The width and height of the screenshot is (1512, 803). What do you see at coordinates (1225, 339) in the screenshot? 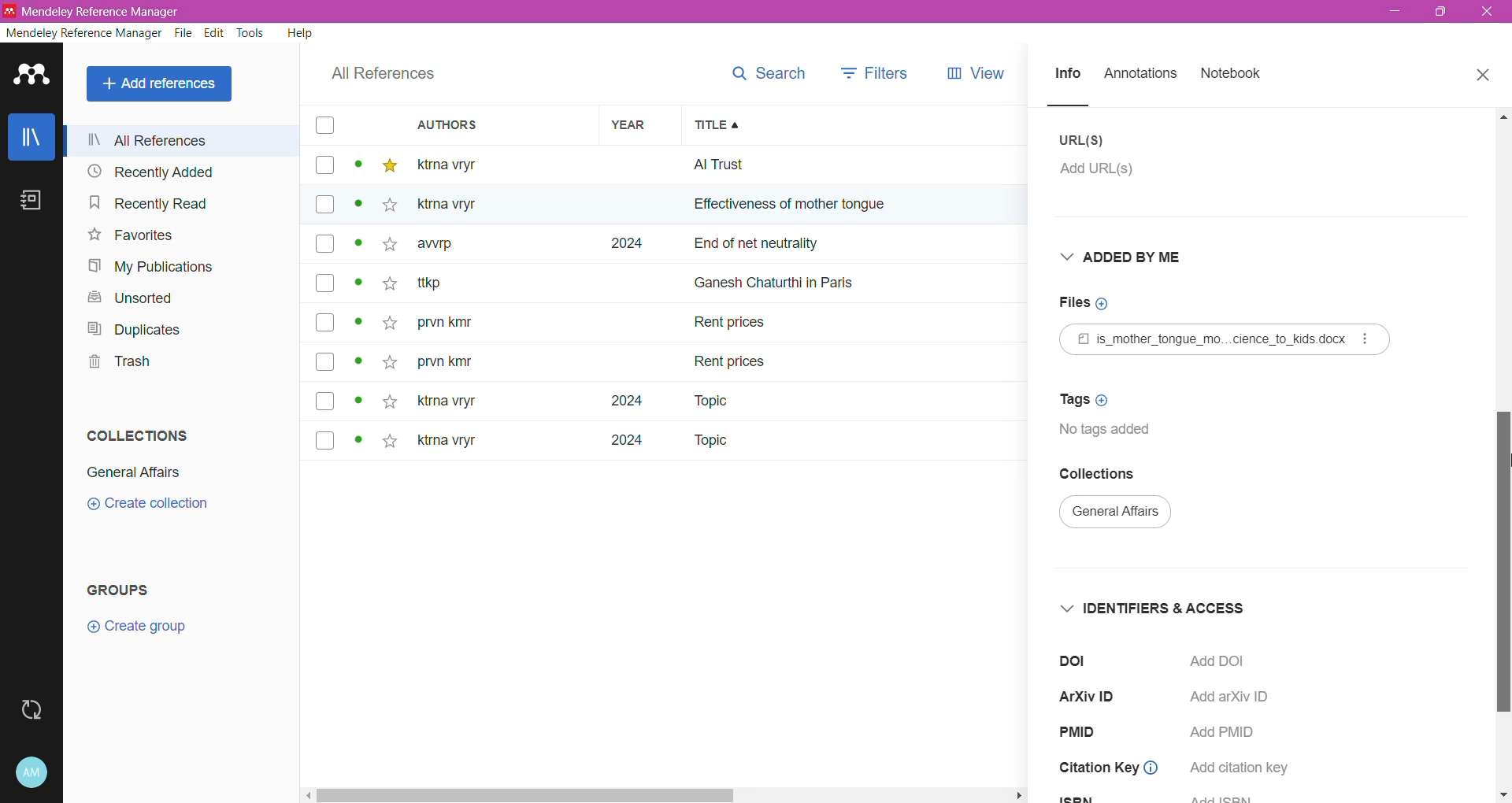
I see `Reference File ` at bounding box center [1225, 339].